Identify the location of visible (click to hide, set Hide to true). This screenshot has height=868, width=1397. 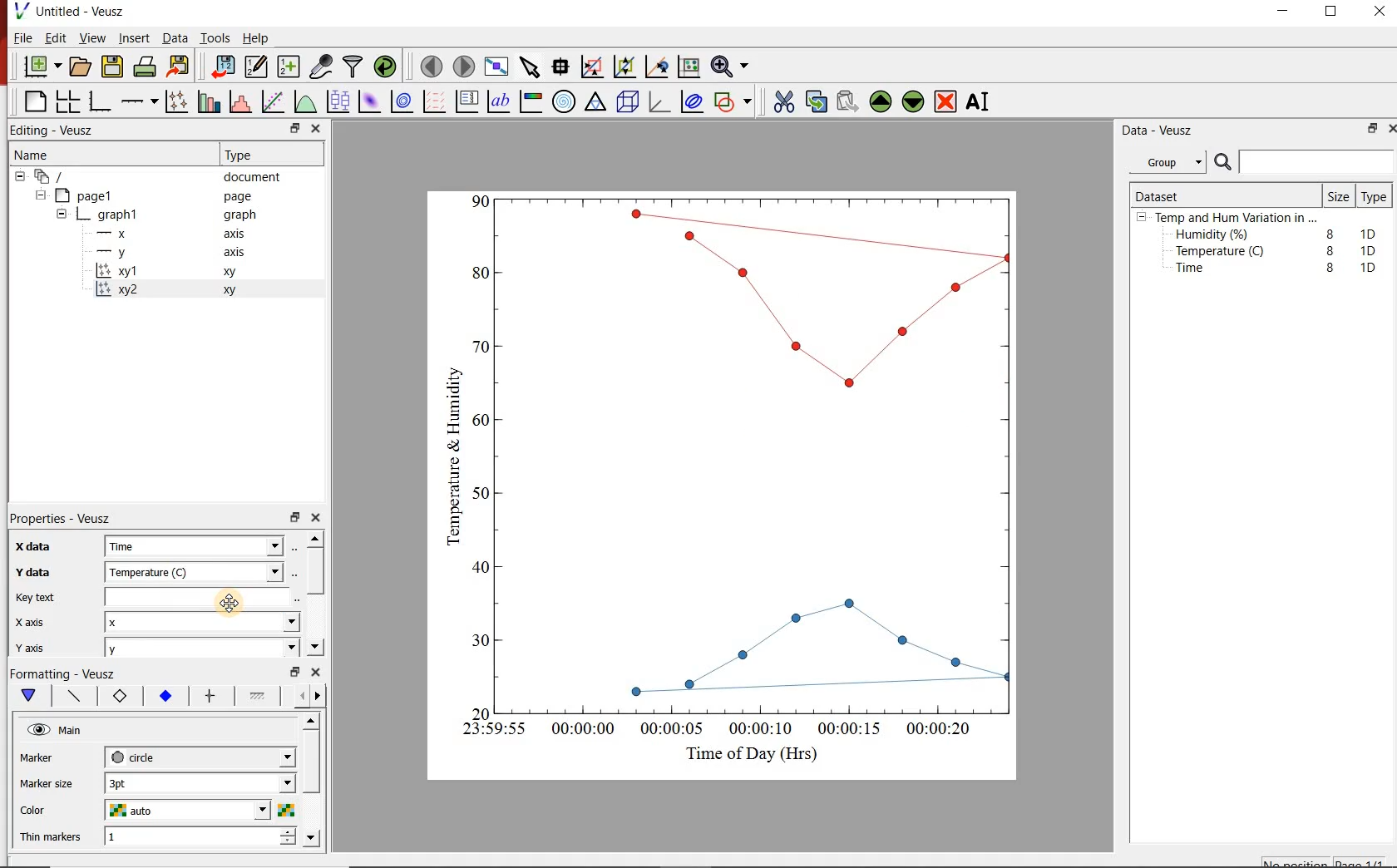
(37, 731).